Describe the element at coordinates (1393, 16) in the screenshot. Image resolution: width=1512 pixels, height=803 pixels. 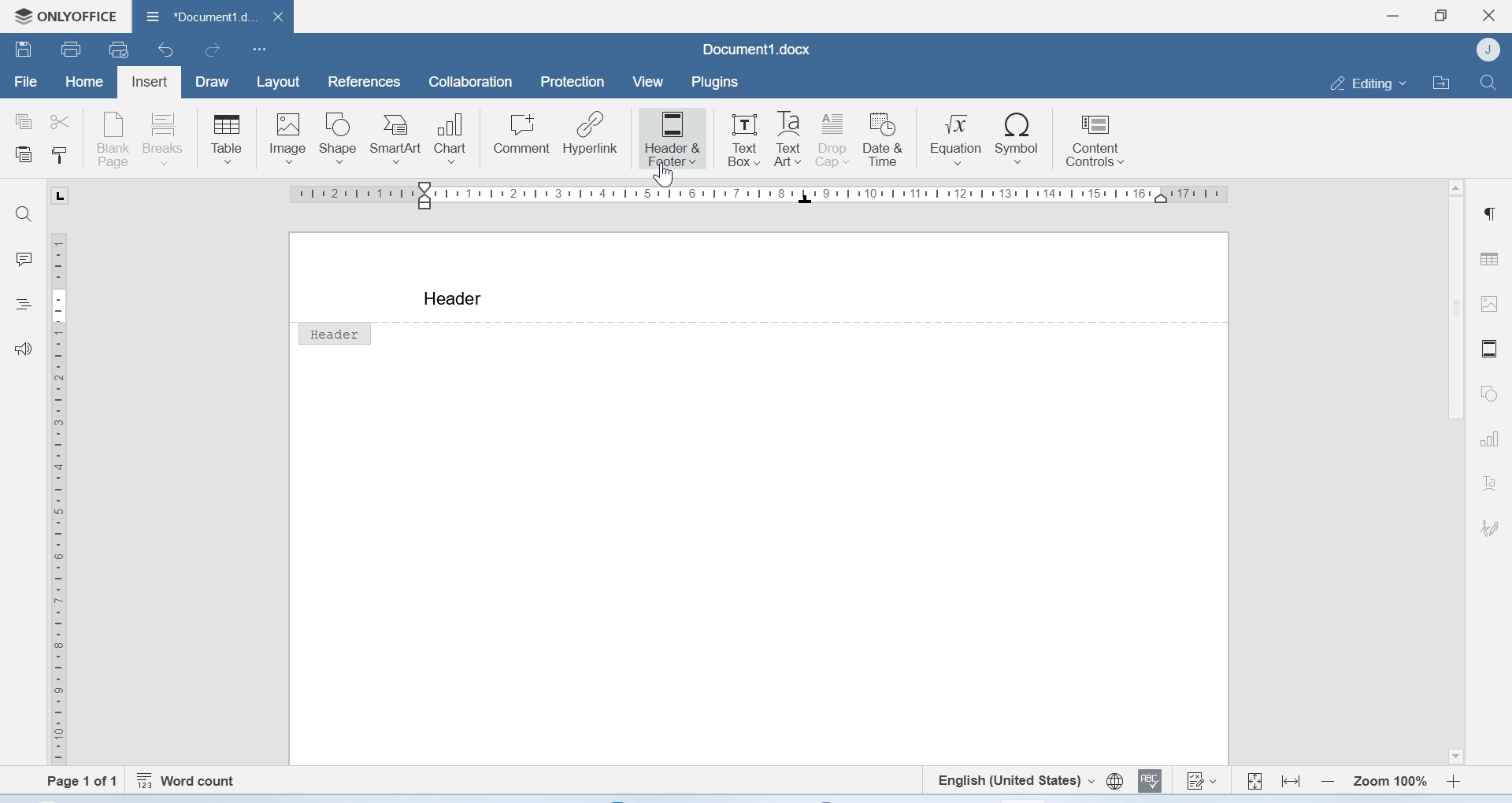
I see `Minimize` at that location.